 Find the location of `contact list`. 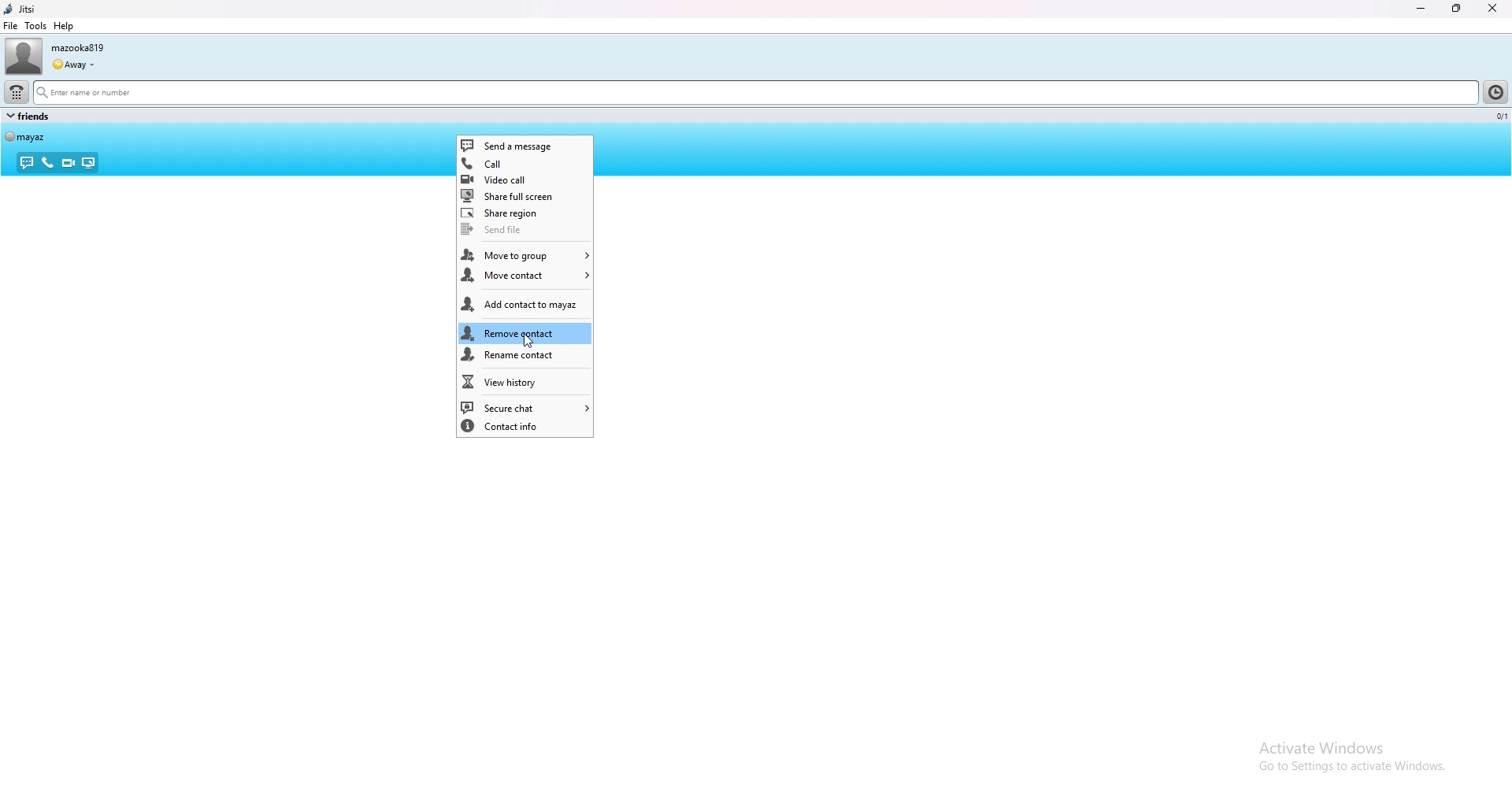

contact list is located at coordinates (1498, 91).